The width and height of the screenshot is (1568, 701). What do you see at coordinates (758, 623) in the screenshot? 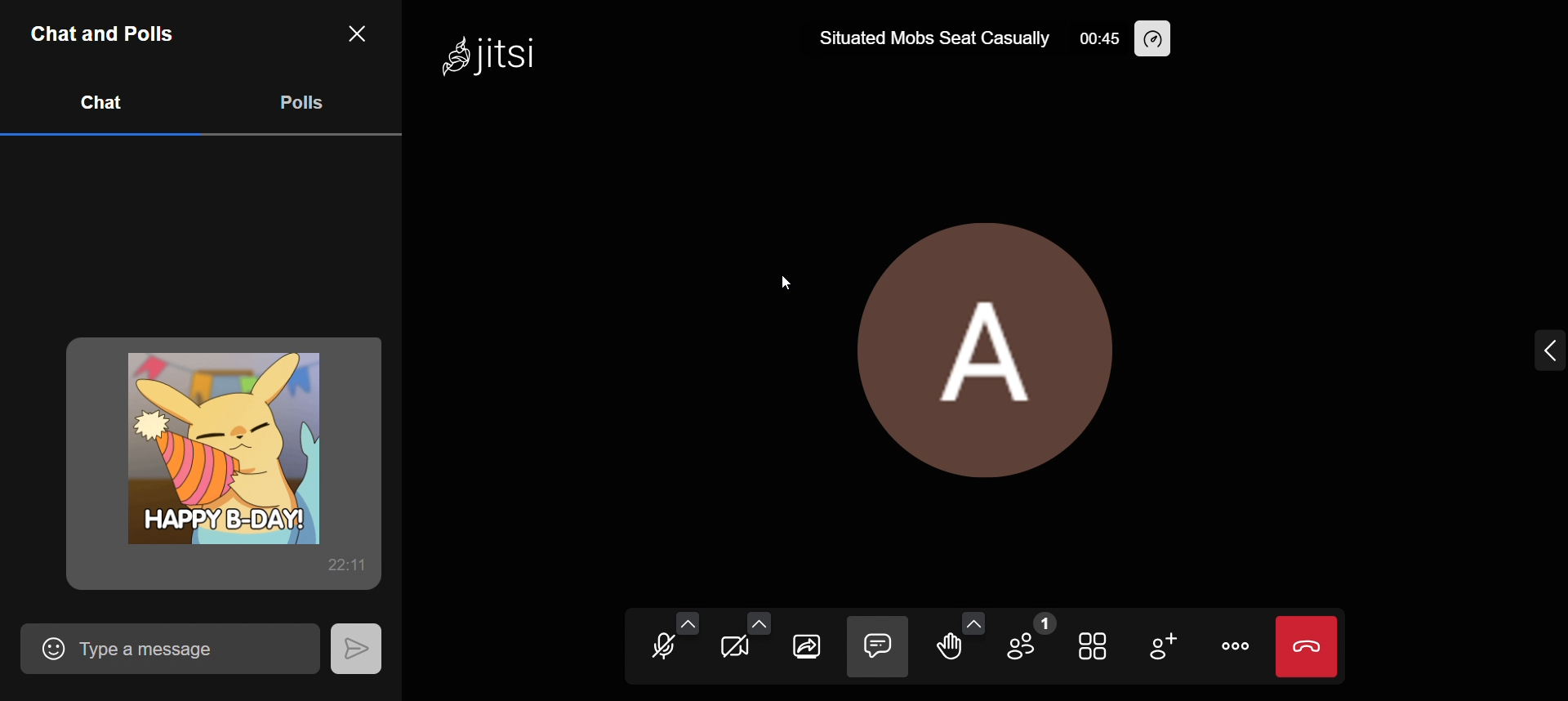
I see `video setting` at bounding box center [758, 623].